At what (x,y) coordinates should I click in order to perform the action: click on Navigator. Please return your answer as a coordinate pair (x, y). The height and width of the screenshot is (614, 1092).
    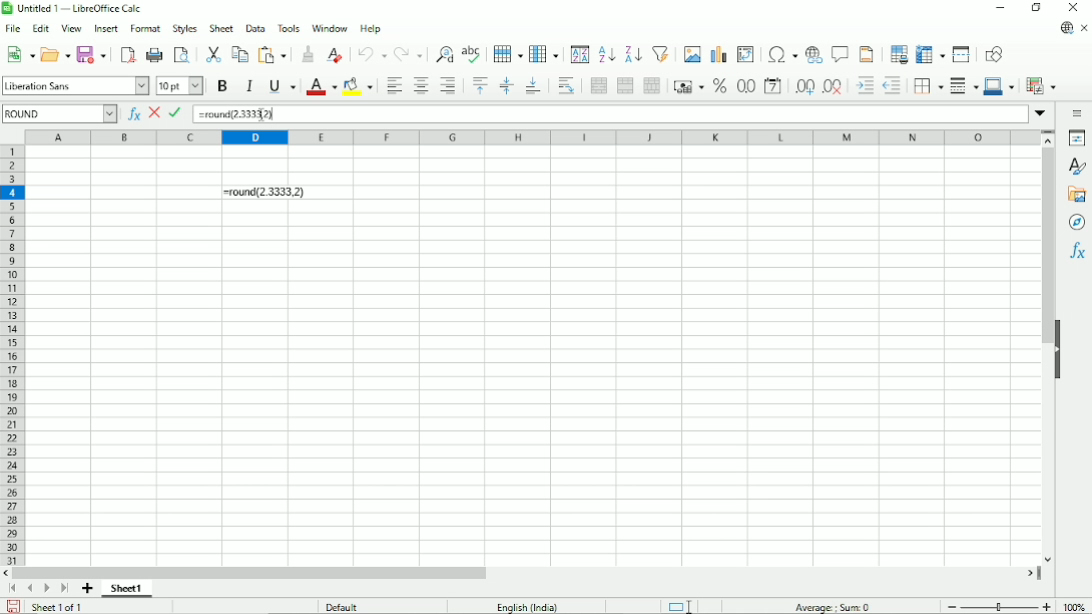
    Looking at the image, I should click on (1077, 222).